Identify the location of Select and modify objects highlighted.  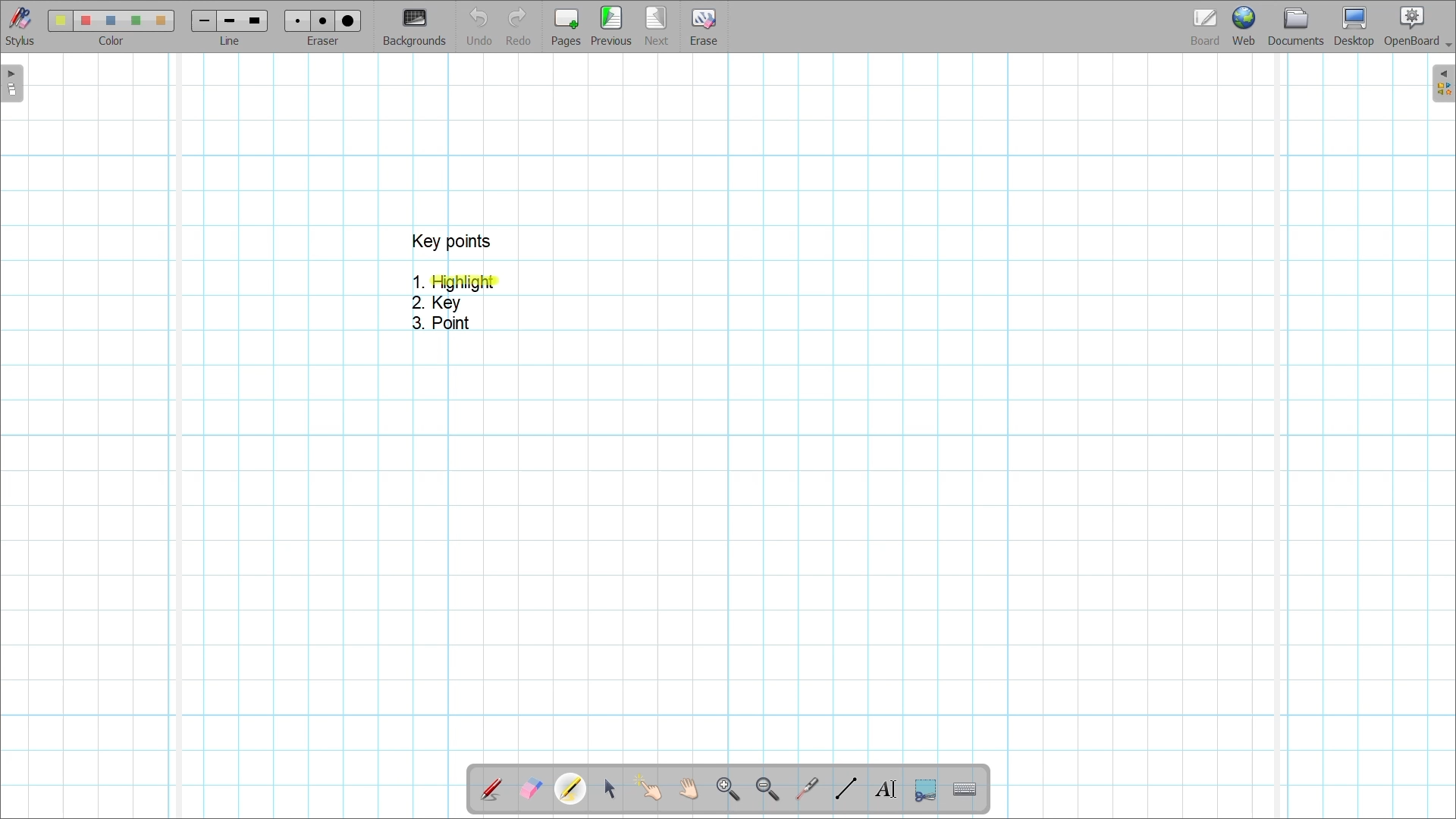
(609, 789).